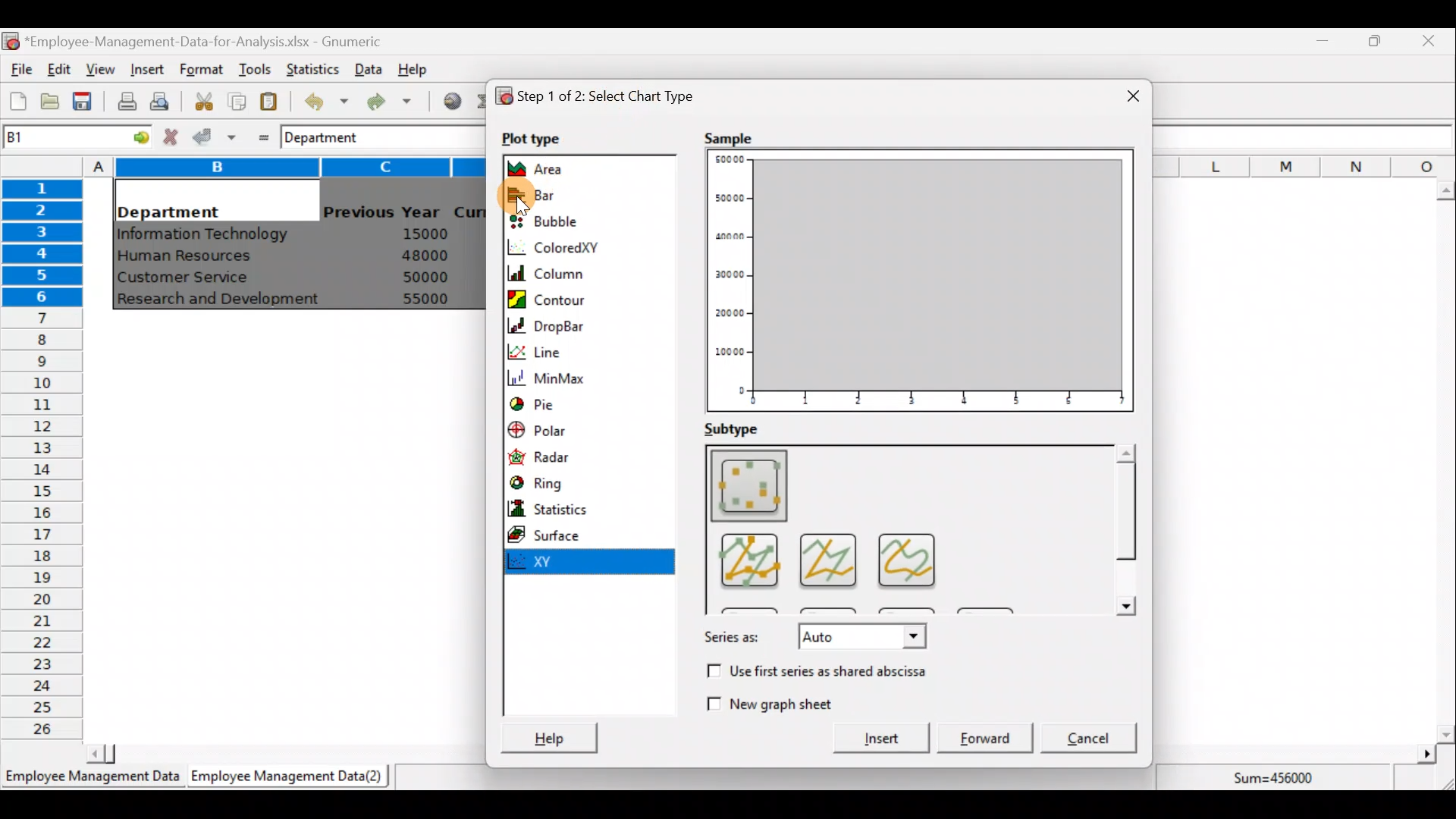 This screenshot has height=819, width=1456. I want to click on Series as, so click(814, 640).